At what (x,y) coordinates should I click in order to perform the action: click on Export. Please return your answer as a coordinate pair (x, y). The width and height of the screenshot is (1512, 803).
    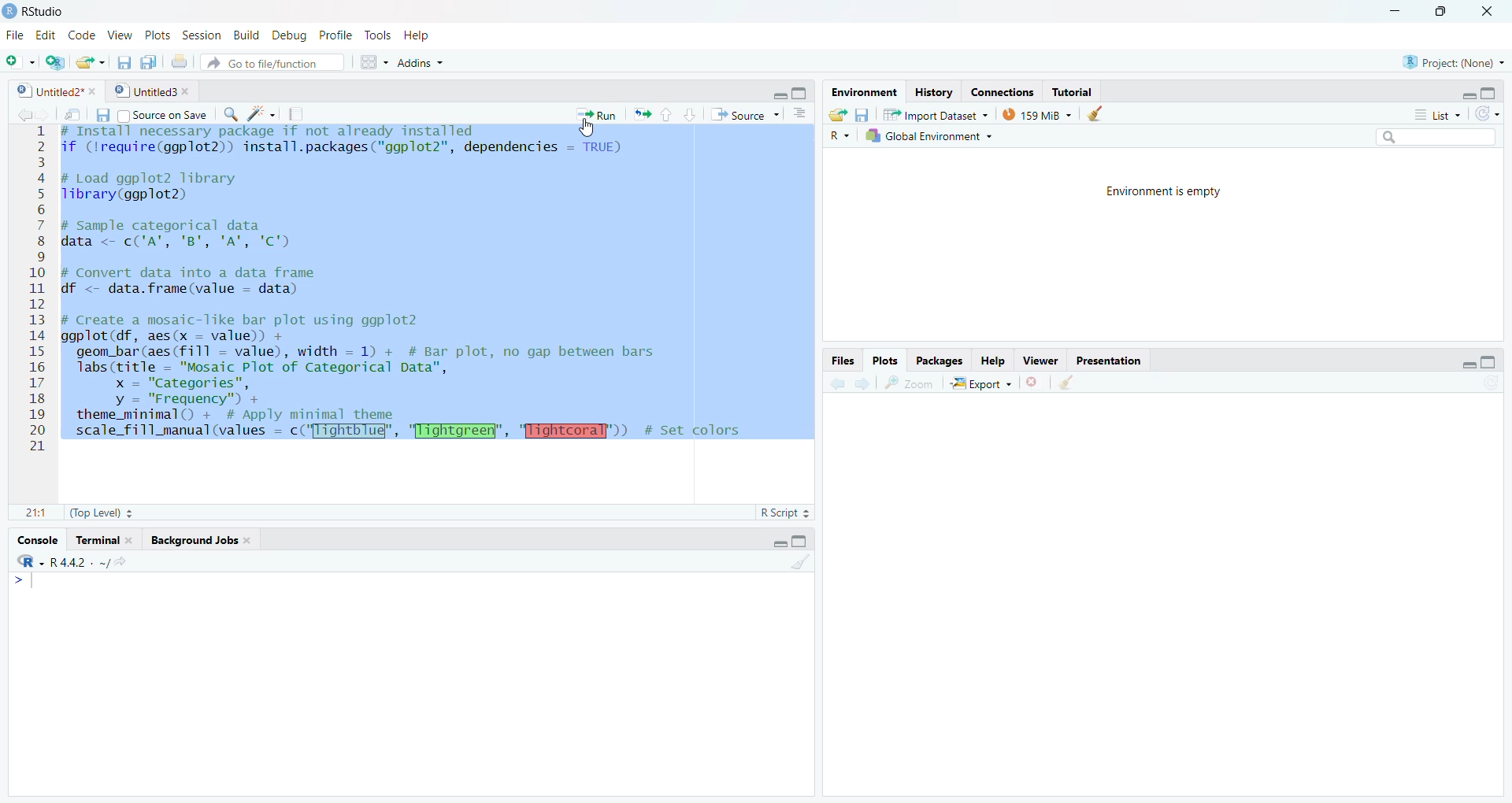
    Looking at the image, I should click on (982, 383).